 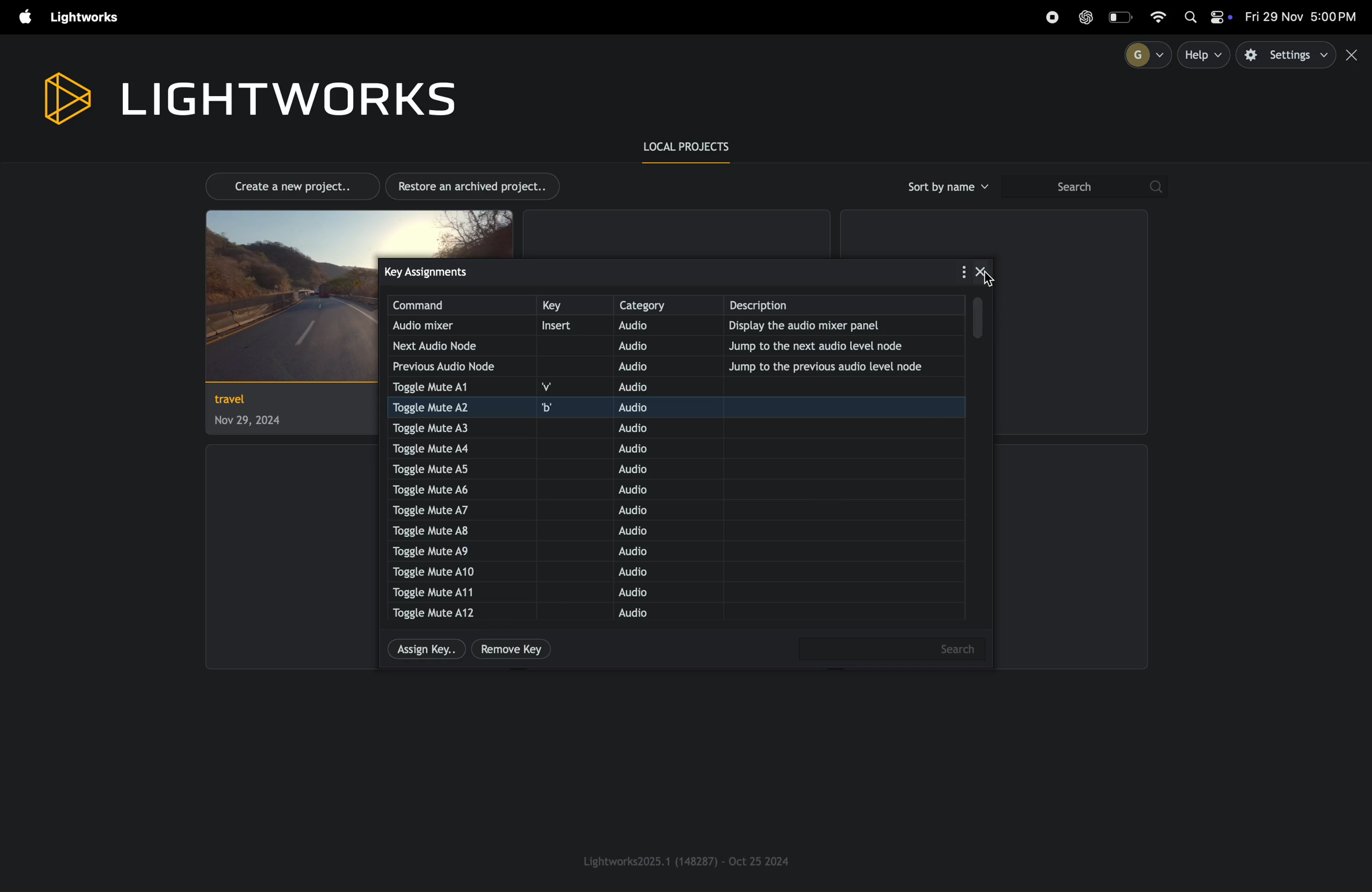 I want to click on audio, so click(x=641, y=493).